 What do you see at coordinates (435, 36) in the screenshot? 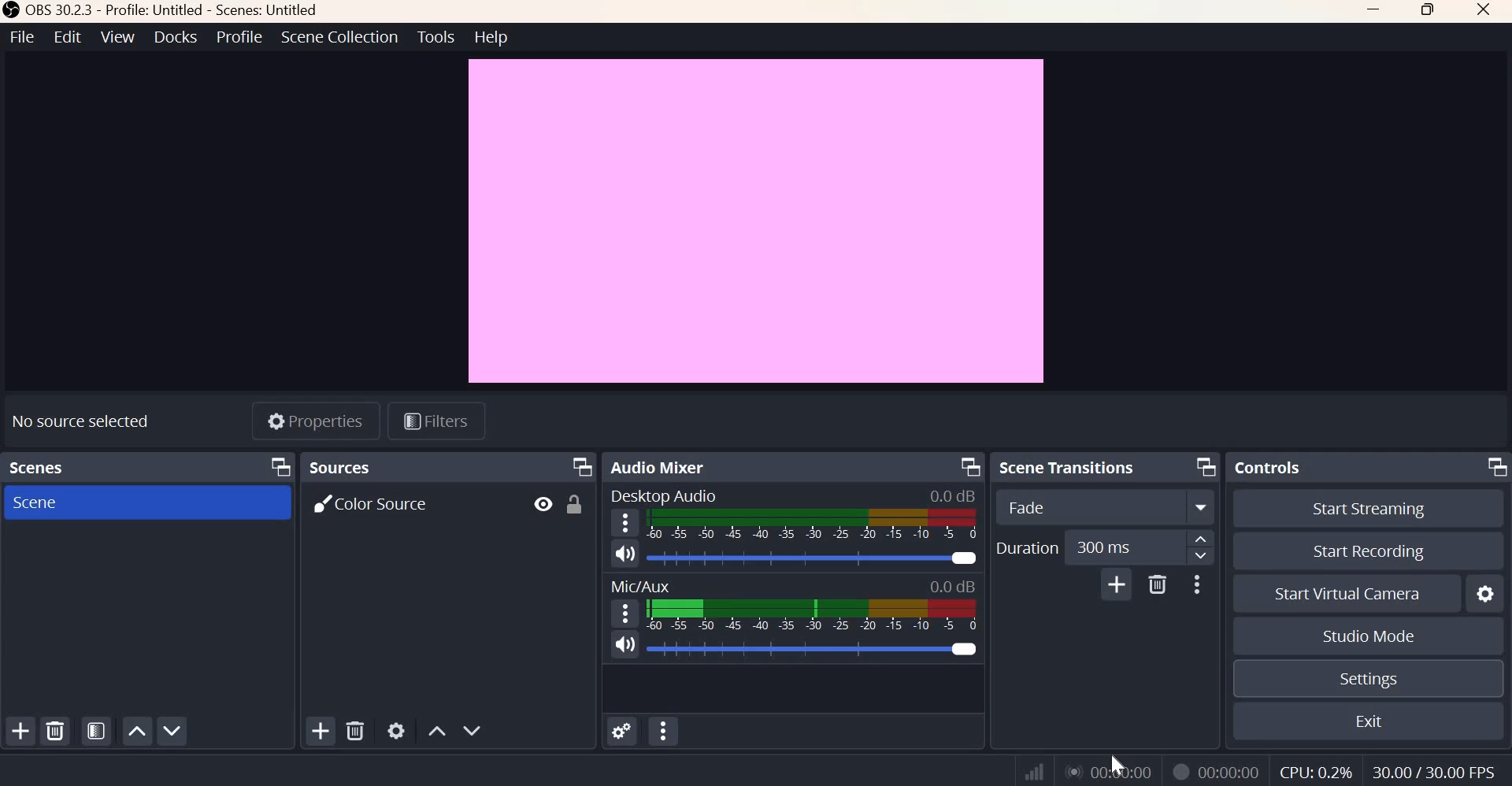
I see `Tools` at bounding box center [435, 36].